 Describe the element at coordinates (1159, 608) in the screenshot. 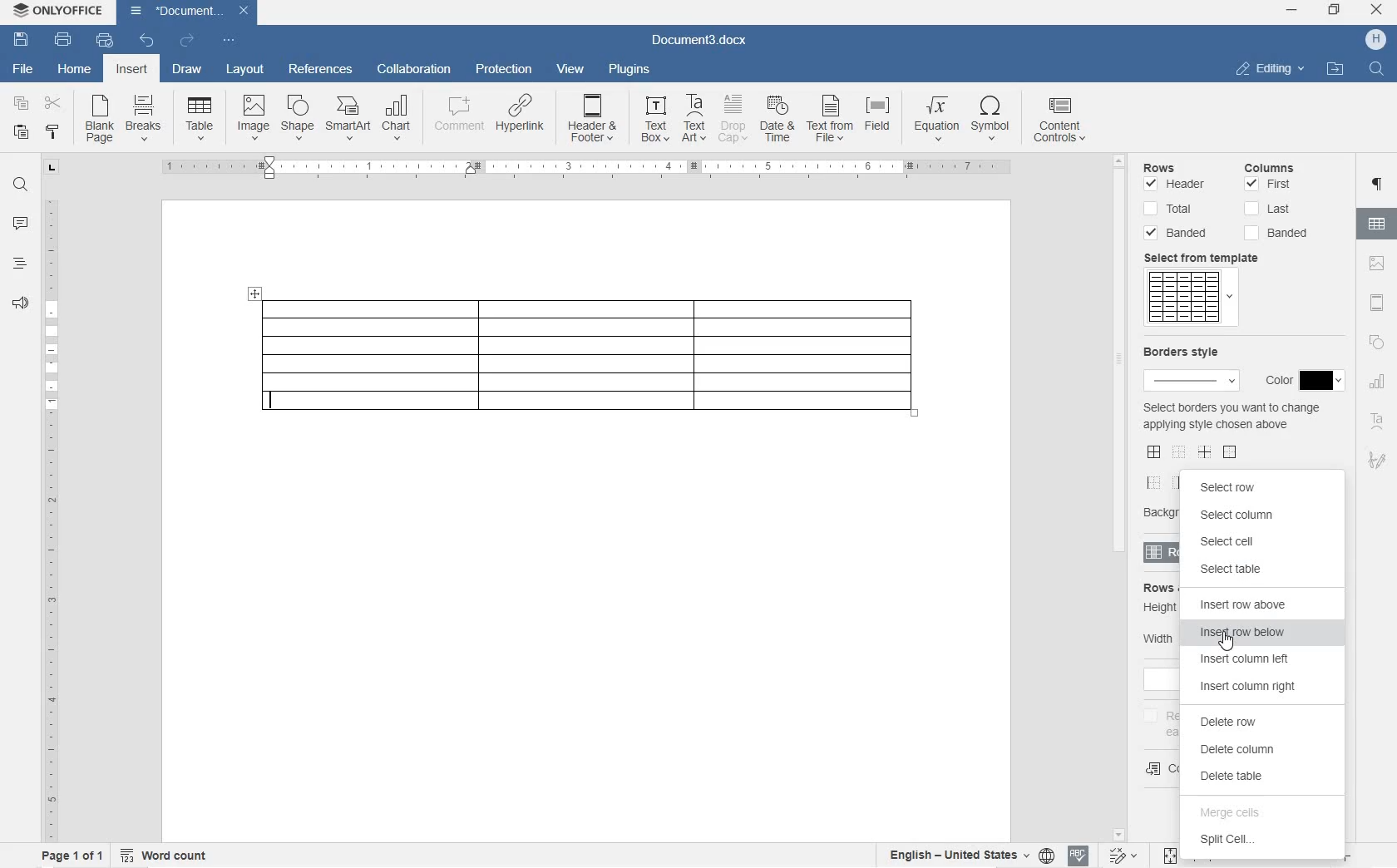

I see `Height` at that location.